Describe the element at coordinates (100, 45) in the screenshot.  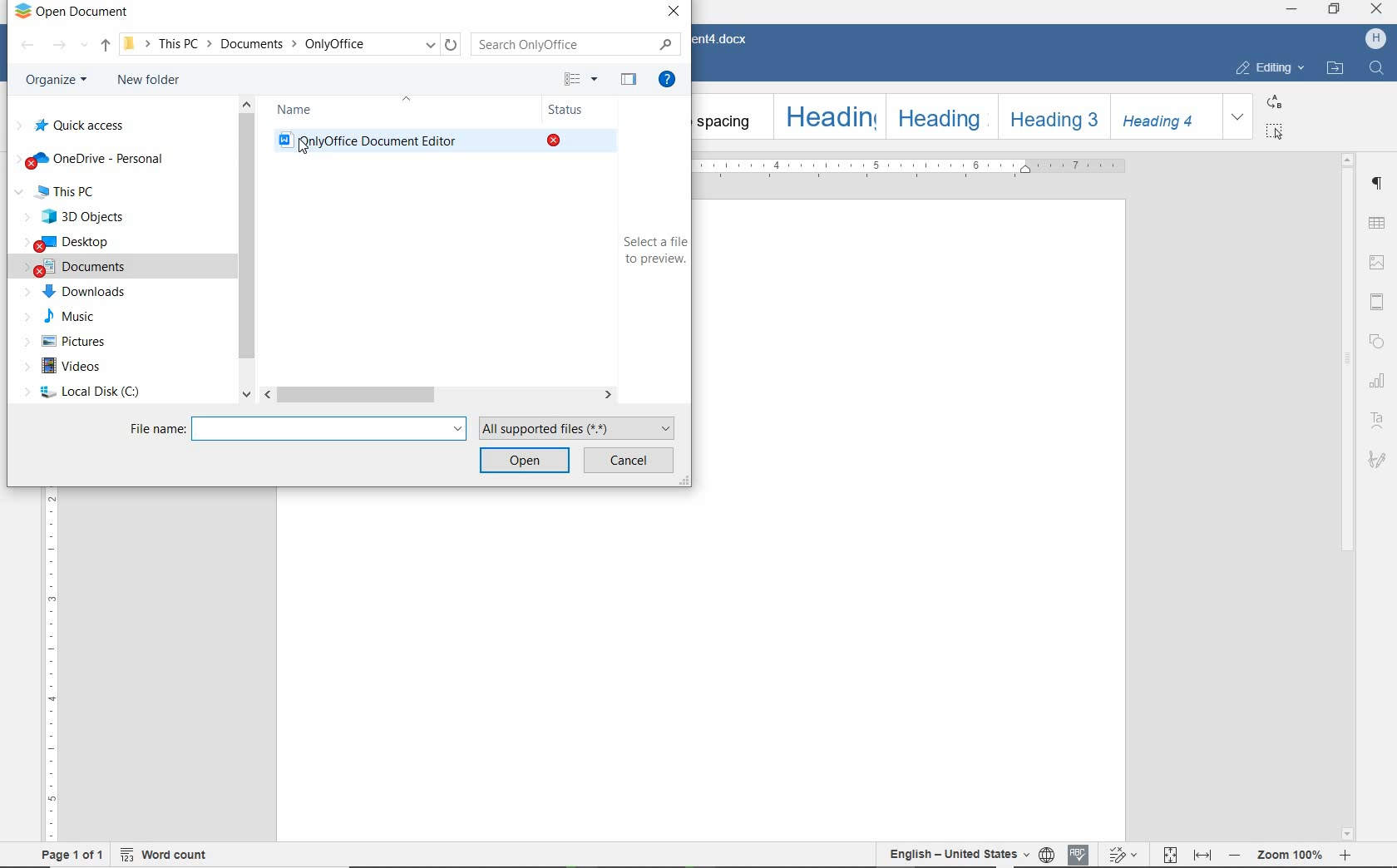
I see `up to documents` at that location.